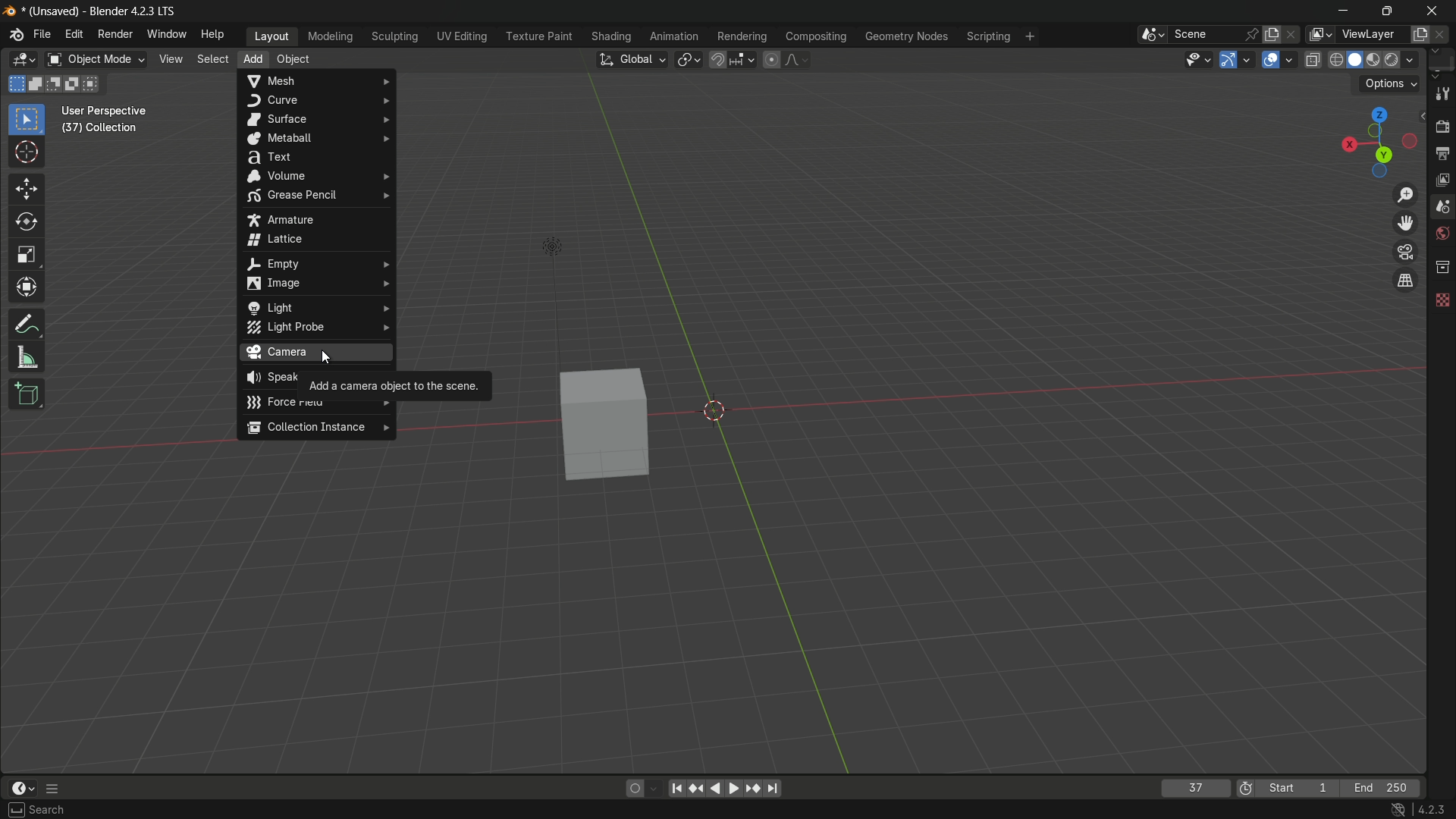 This screenshot has width=1456, height=819. Describe the element at coordinates (635, 788) in the screenshot. I see `auto keying` at that location.